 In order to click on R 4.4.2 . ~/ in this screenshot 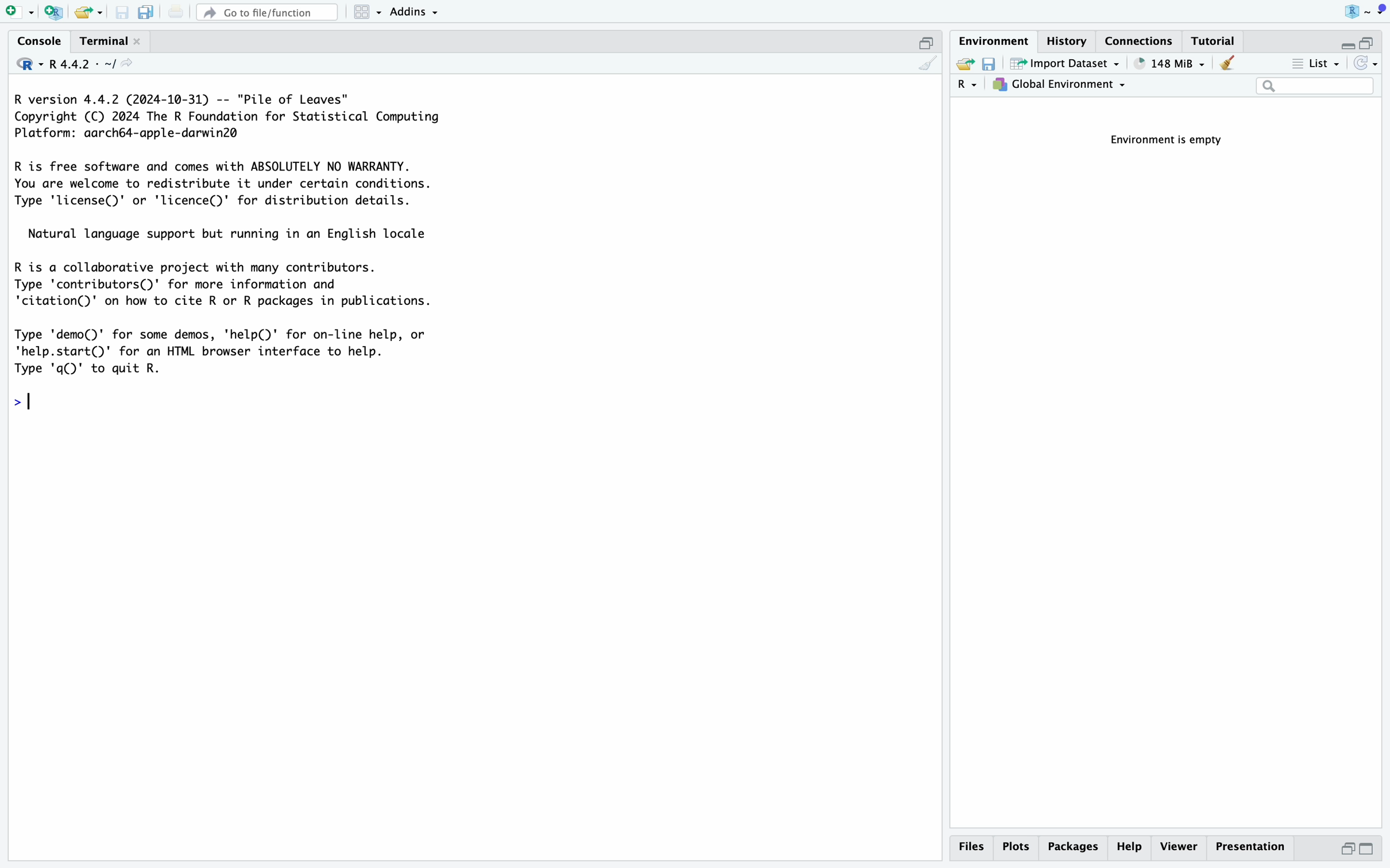, I will do `click(84, 63)`.